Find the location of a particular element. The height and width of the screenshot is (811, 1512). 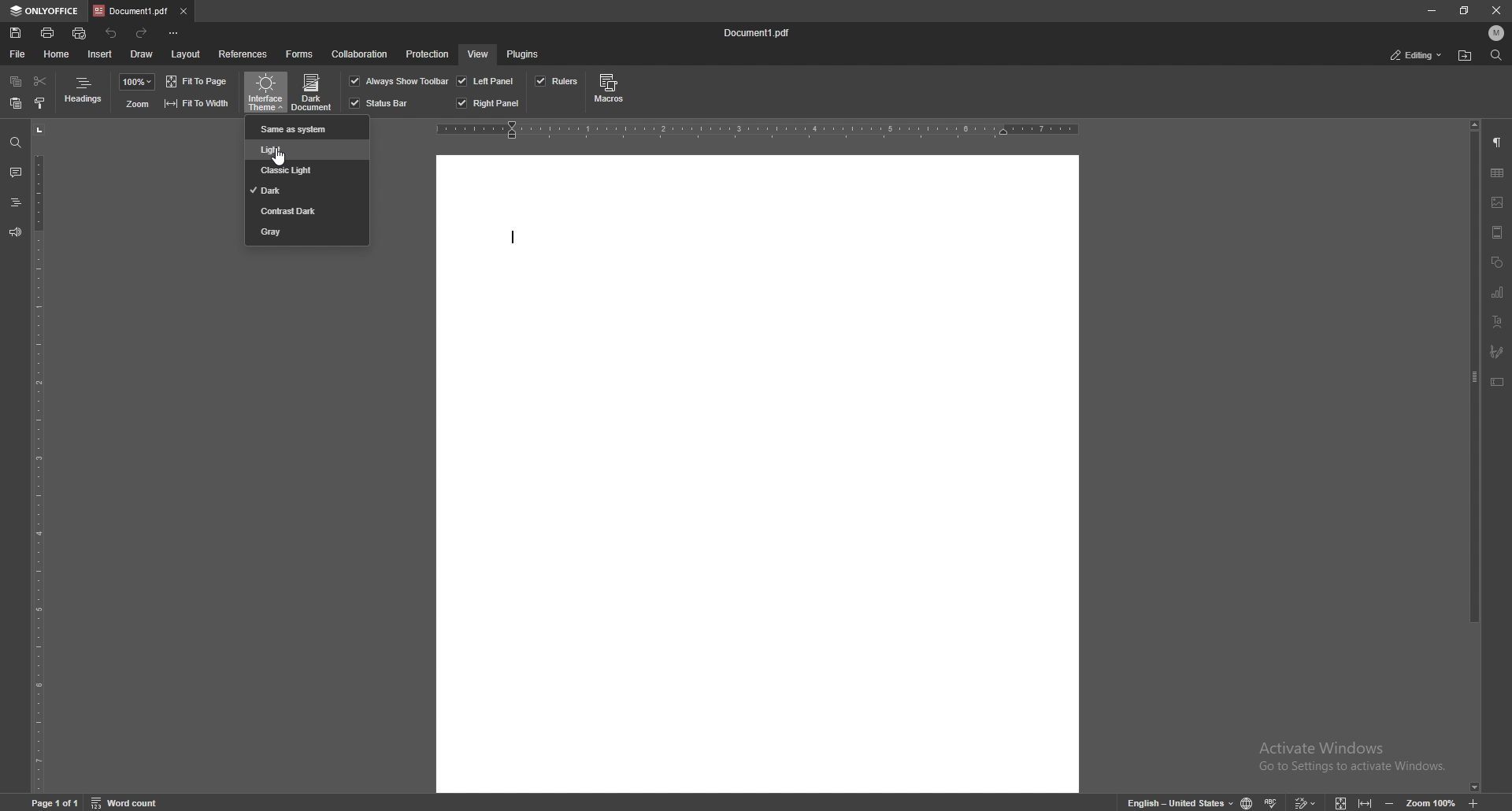

dark document is located at coordinates (313, 92).